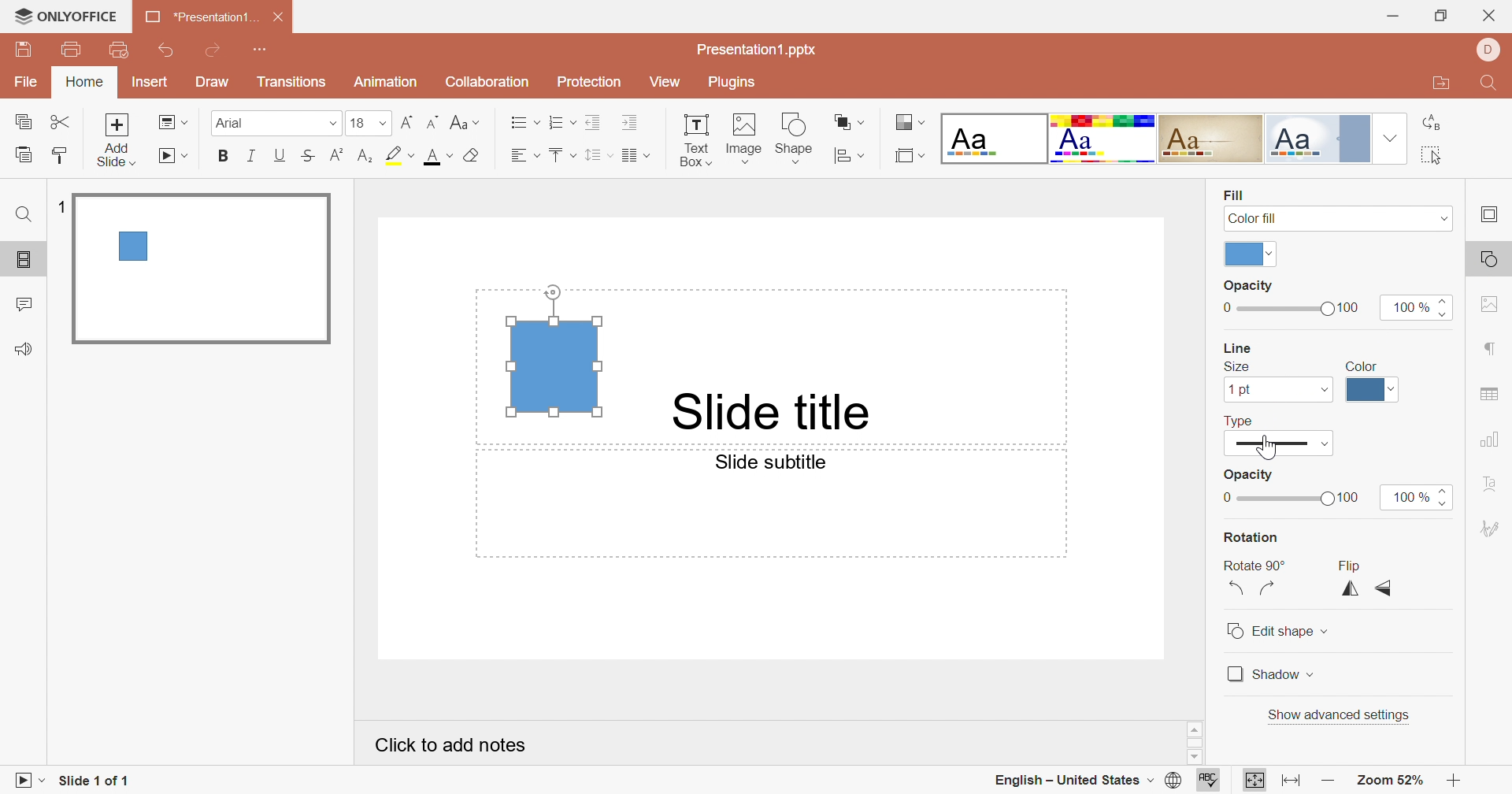  What do you see at coordinates (56, 155) in the screenshot?
I see `Copy Style` at bounding box center [56, 155].